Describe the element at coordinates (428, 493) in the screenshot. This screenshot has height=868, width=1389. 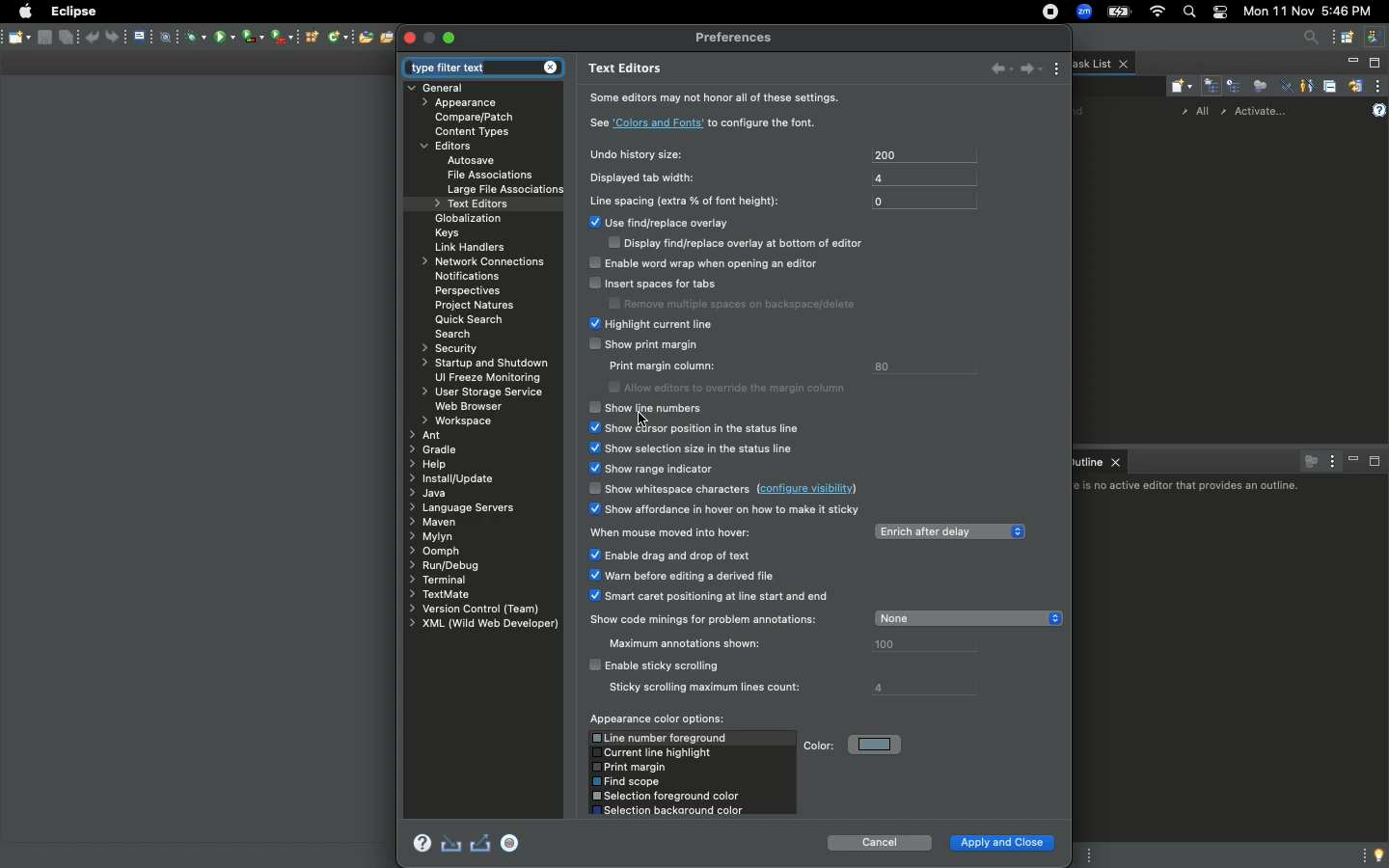
I see `Java` at that location.